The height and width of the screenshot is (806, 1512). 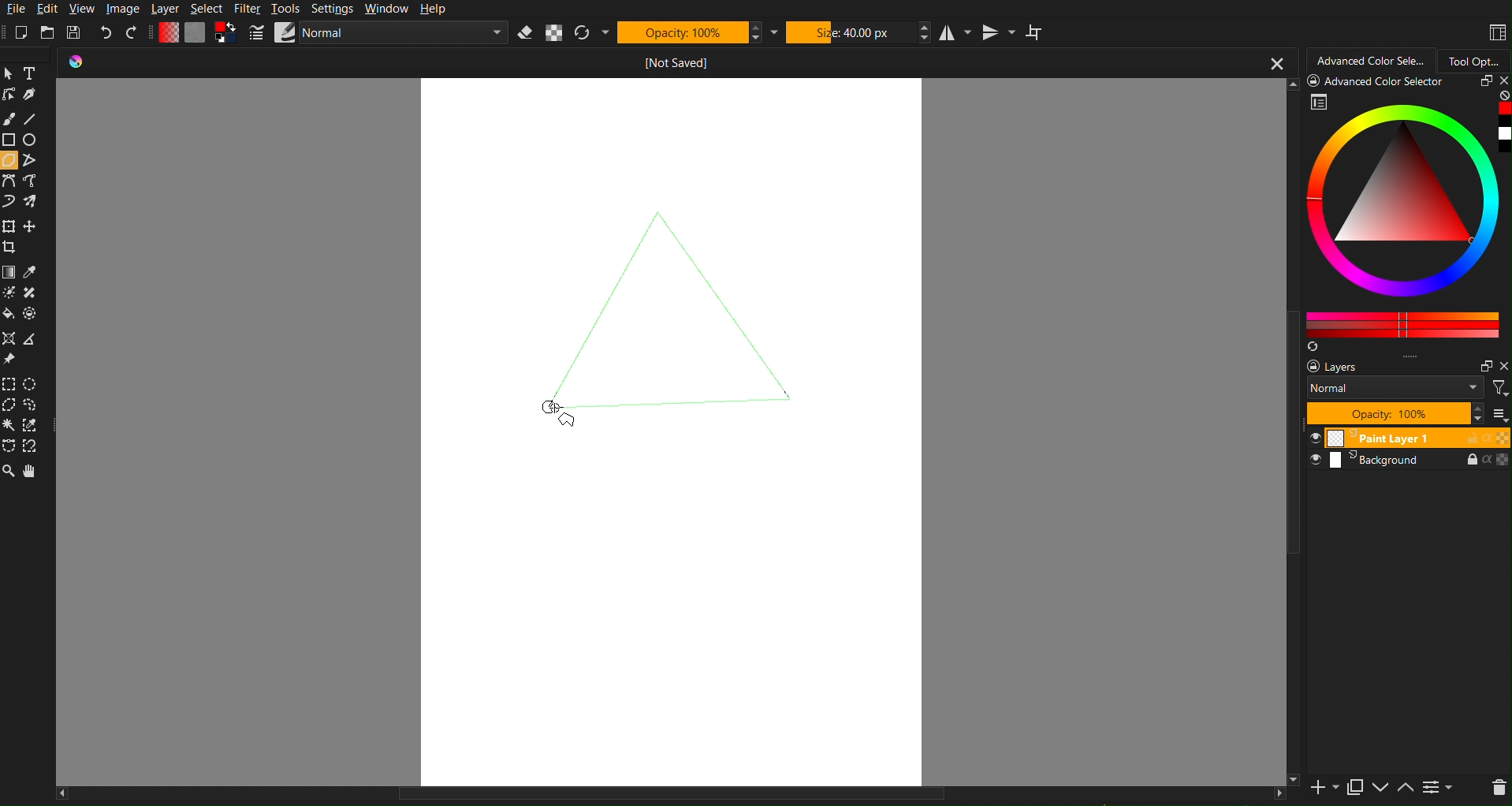 What do you see at coordinates (672, 410) in the screenshot?
I see `Line 3` at bounding box center [672, 410].